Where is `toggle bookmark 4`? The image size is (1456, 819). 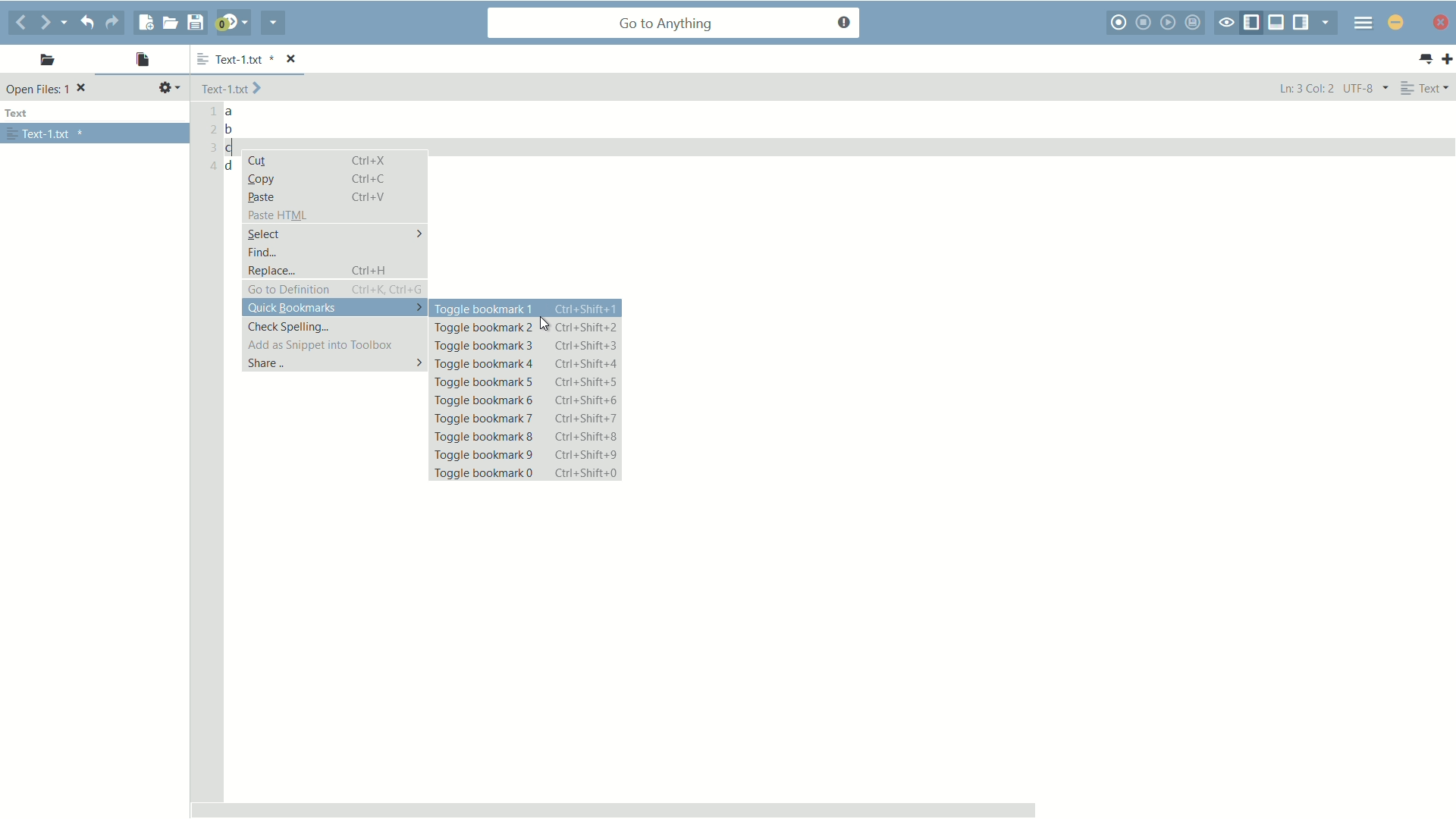 toggle bookmark 4 is located at coordinates (526, 365).